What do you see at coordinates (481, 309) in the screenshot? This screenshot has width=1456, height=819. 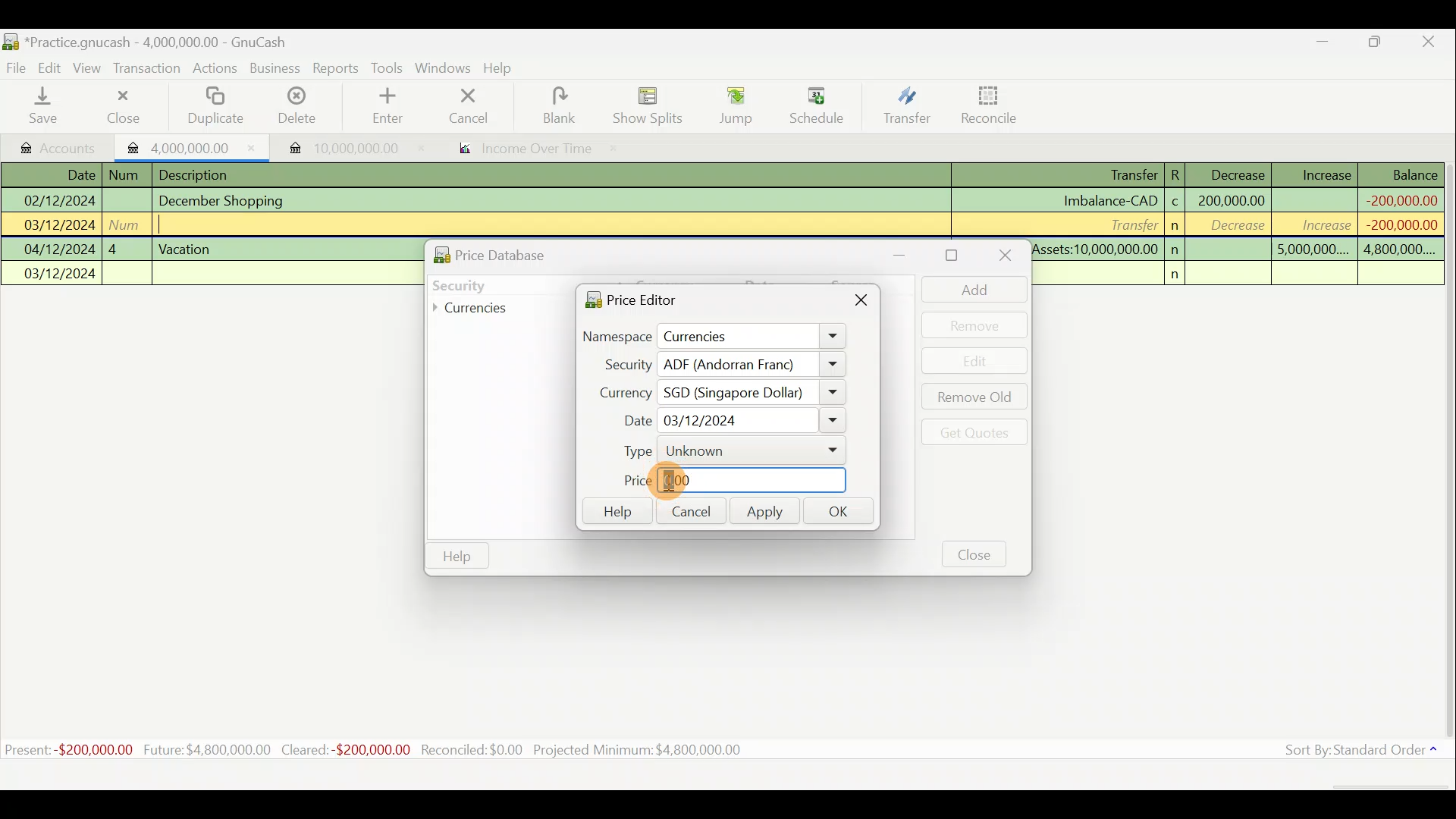 I see `Currencies` at bounding box center [481, 309].